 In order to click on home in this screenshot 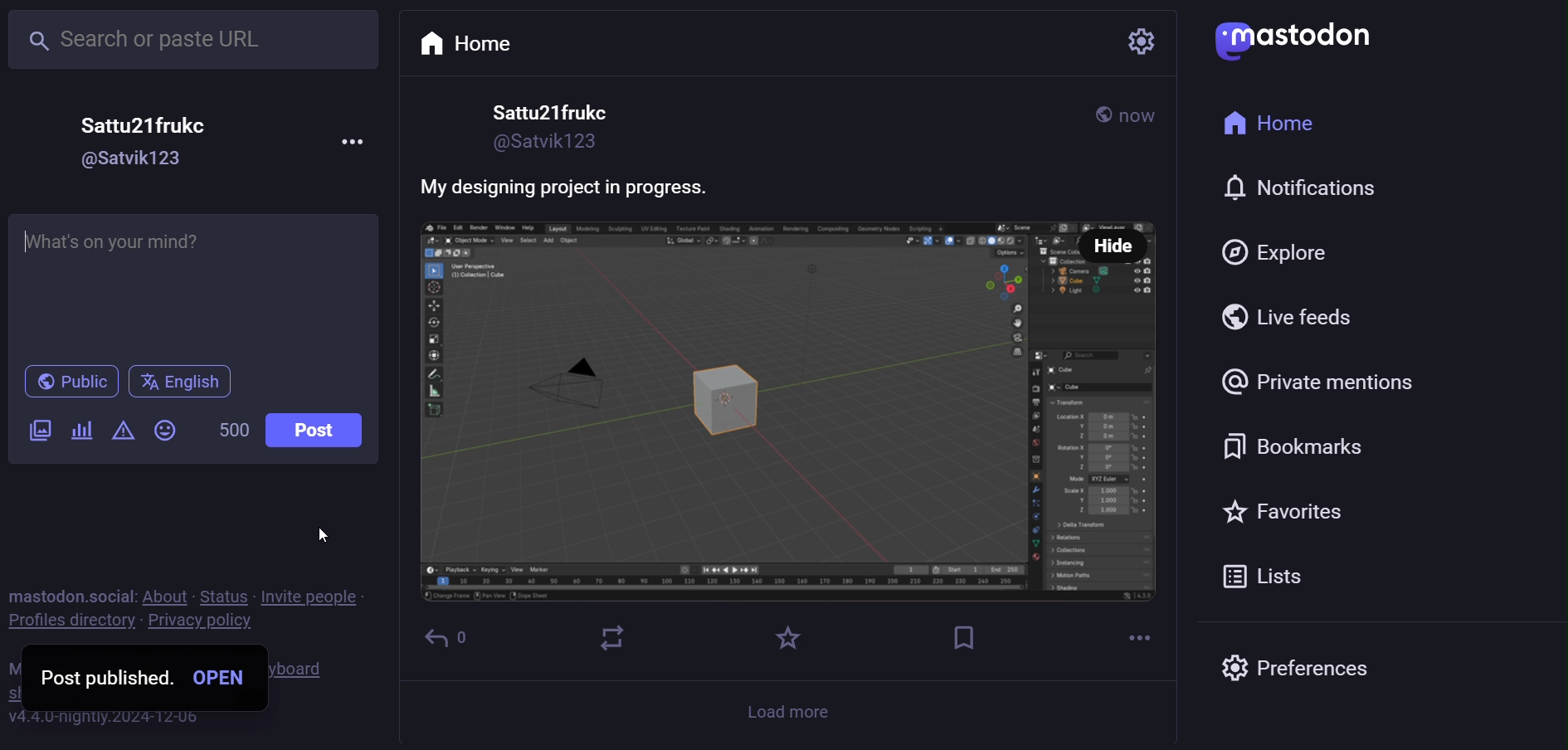, I will do `click(480, 43)`.